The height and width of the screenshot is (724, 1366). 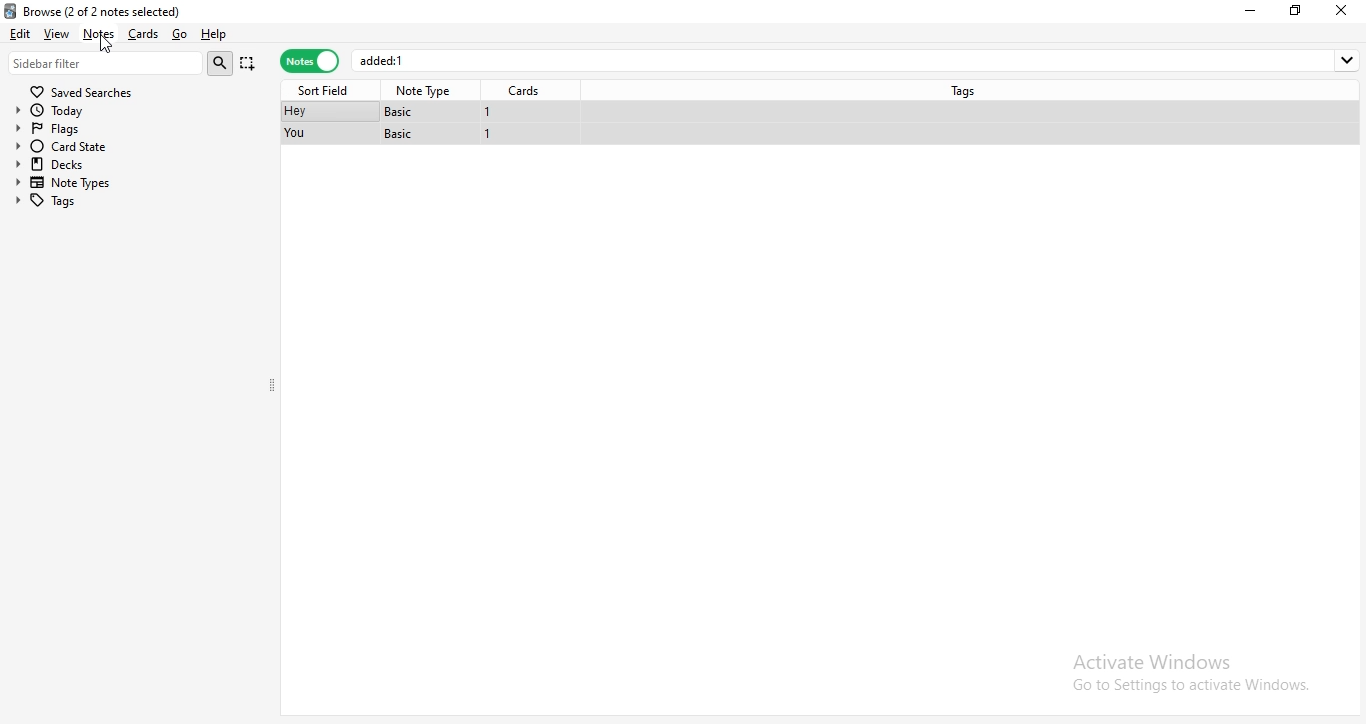 What do you see at coordinates (327, 89) in the screenshot?
I see `sort field` at bounding box center [327, 89].